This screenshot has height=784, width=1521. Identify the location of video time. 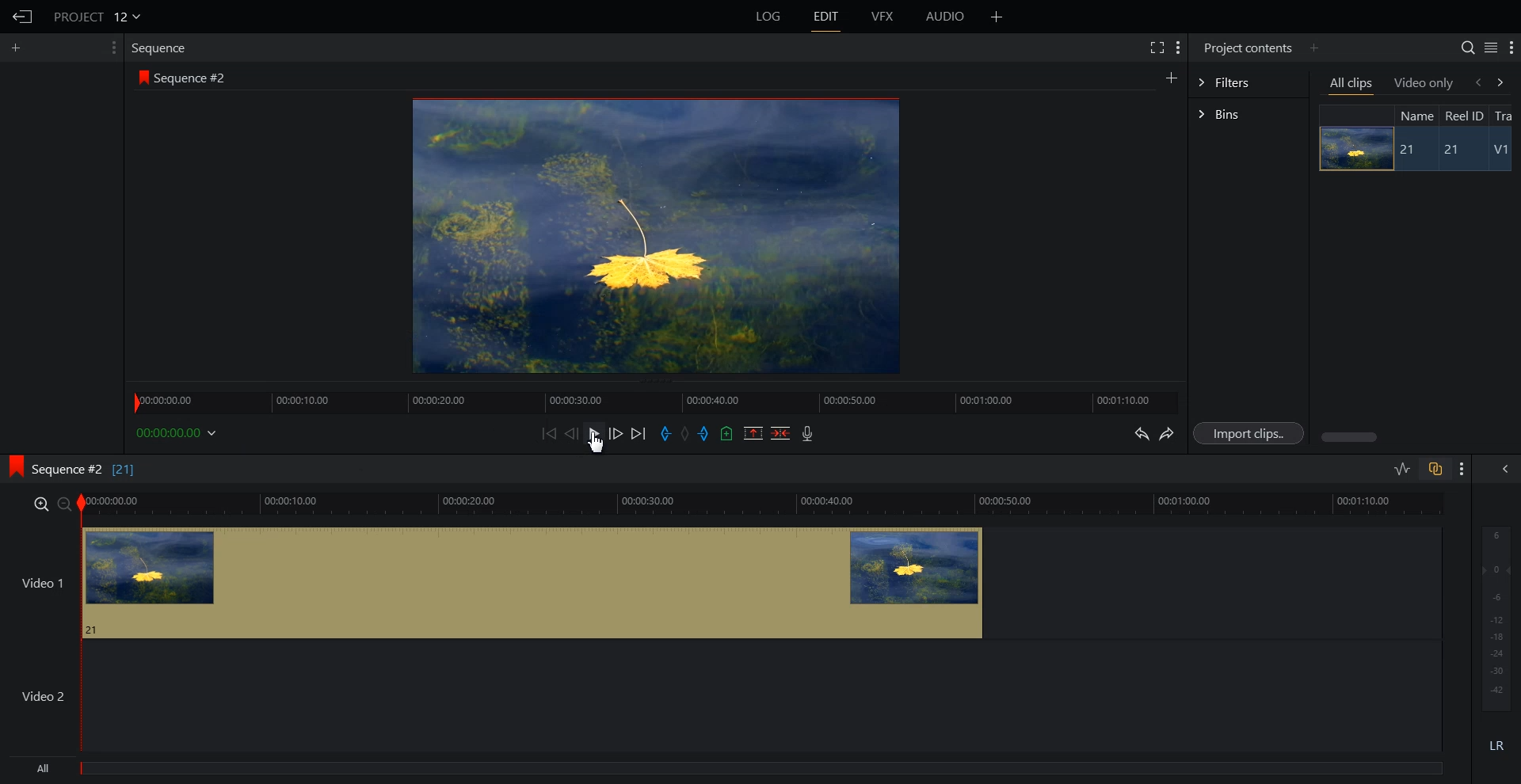
(765, 502).